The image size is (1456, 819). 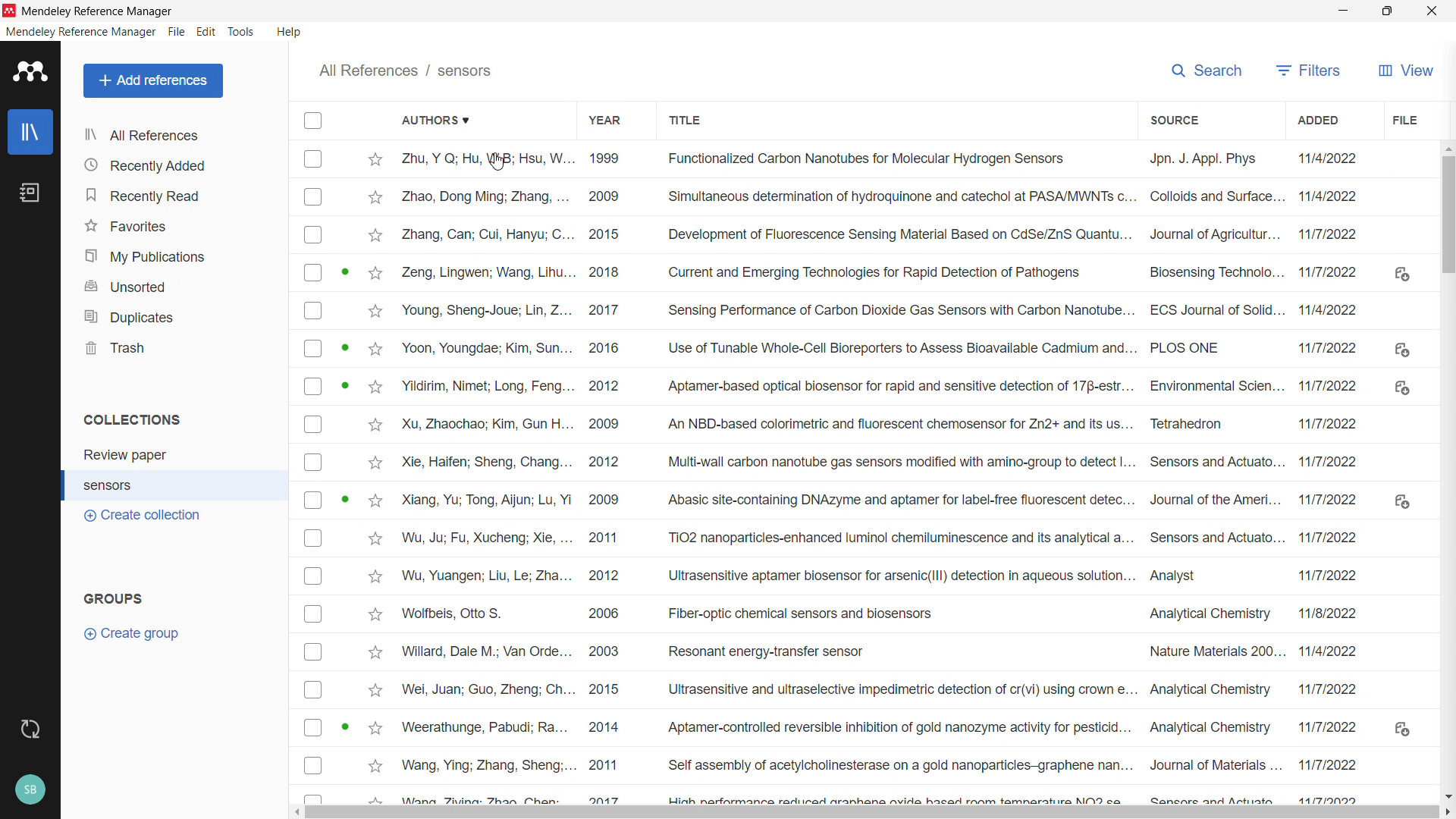 What do you see at coordinates (604, 475) in the screenshot?
I see `Year of publication of individual entries ` at bounding box center [604, 475].